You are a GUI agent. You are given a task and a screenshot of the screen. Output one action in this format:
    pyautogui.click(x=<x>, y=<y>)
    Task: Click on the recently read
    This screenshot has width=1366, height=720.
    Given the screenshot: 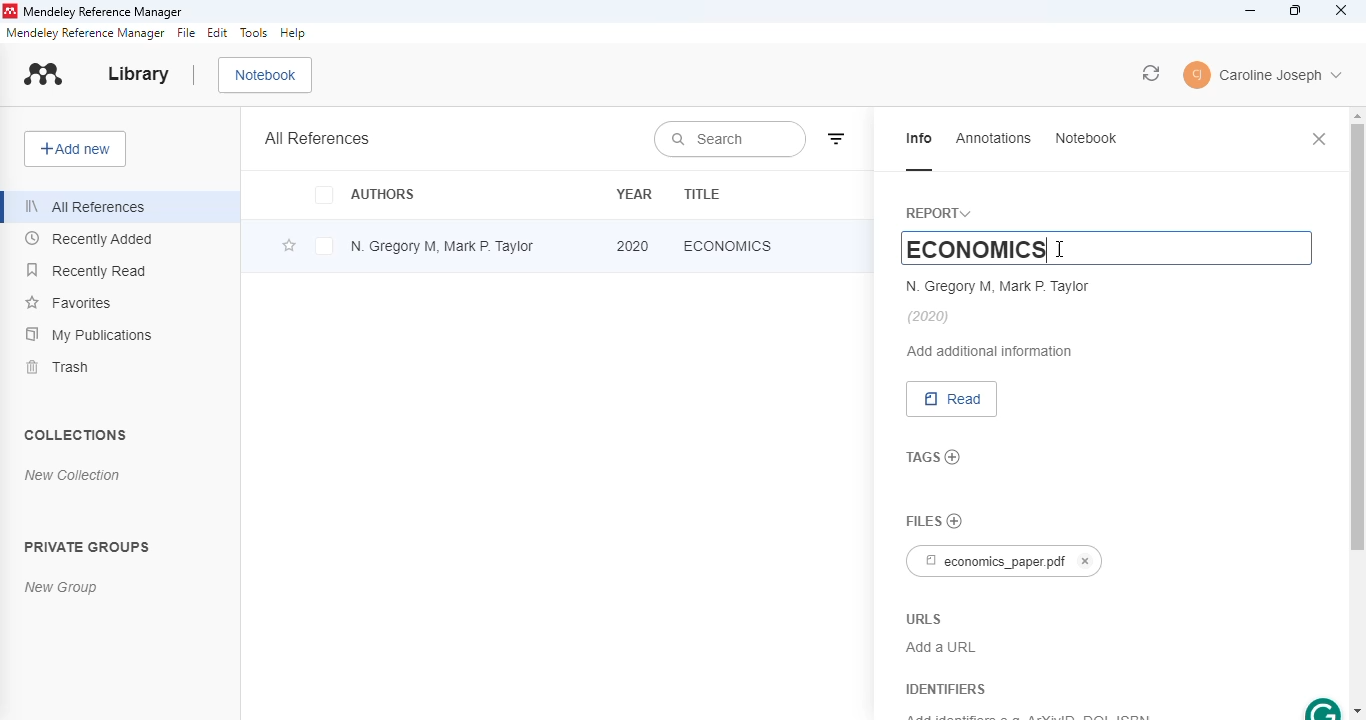 What is the action you would take?
    pyautogui.click(x=86, y=269)
    